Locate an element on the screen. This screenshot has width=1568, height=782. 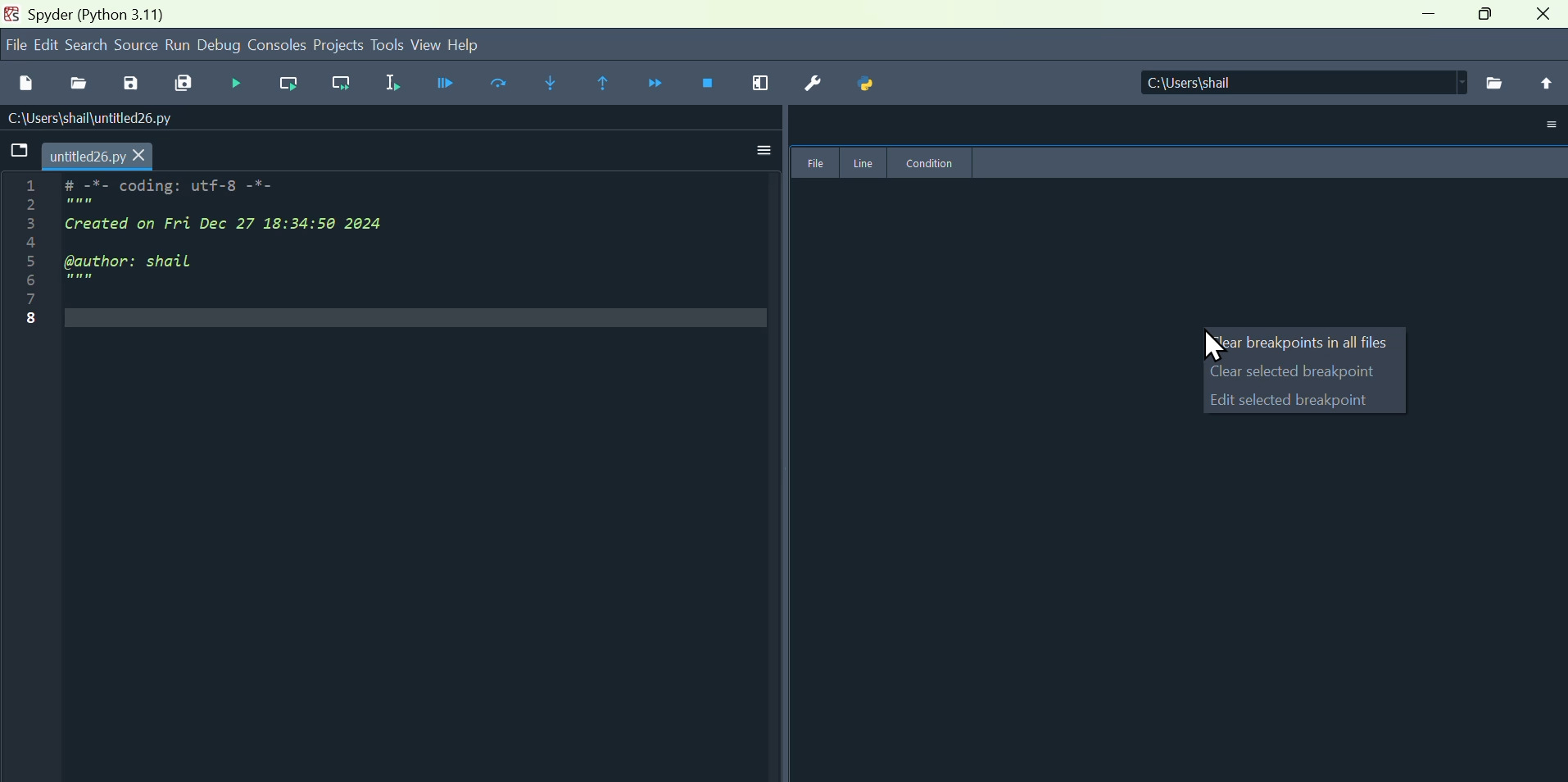
help  is located at coordinates (474, 47).